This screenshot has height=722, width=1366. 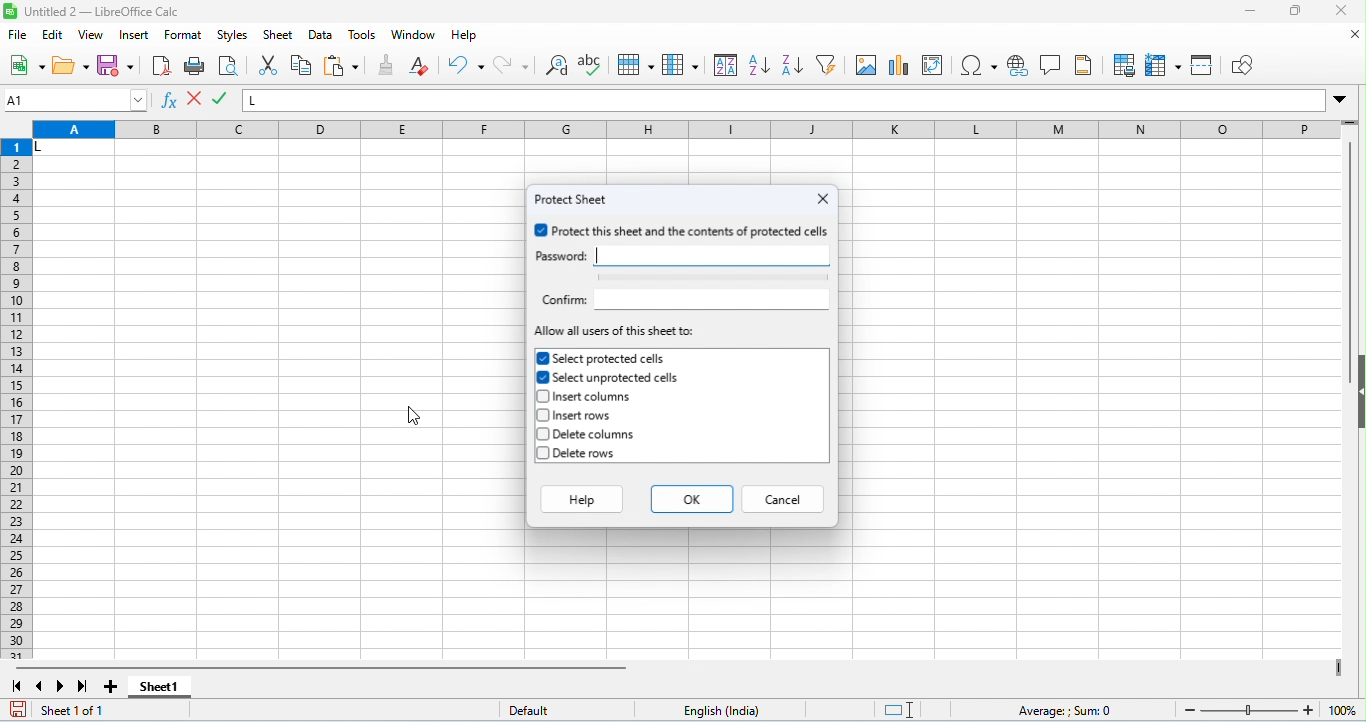 I want to click on insert columns, so click(x=590, y=398).